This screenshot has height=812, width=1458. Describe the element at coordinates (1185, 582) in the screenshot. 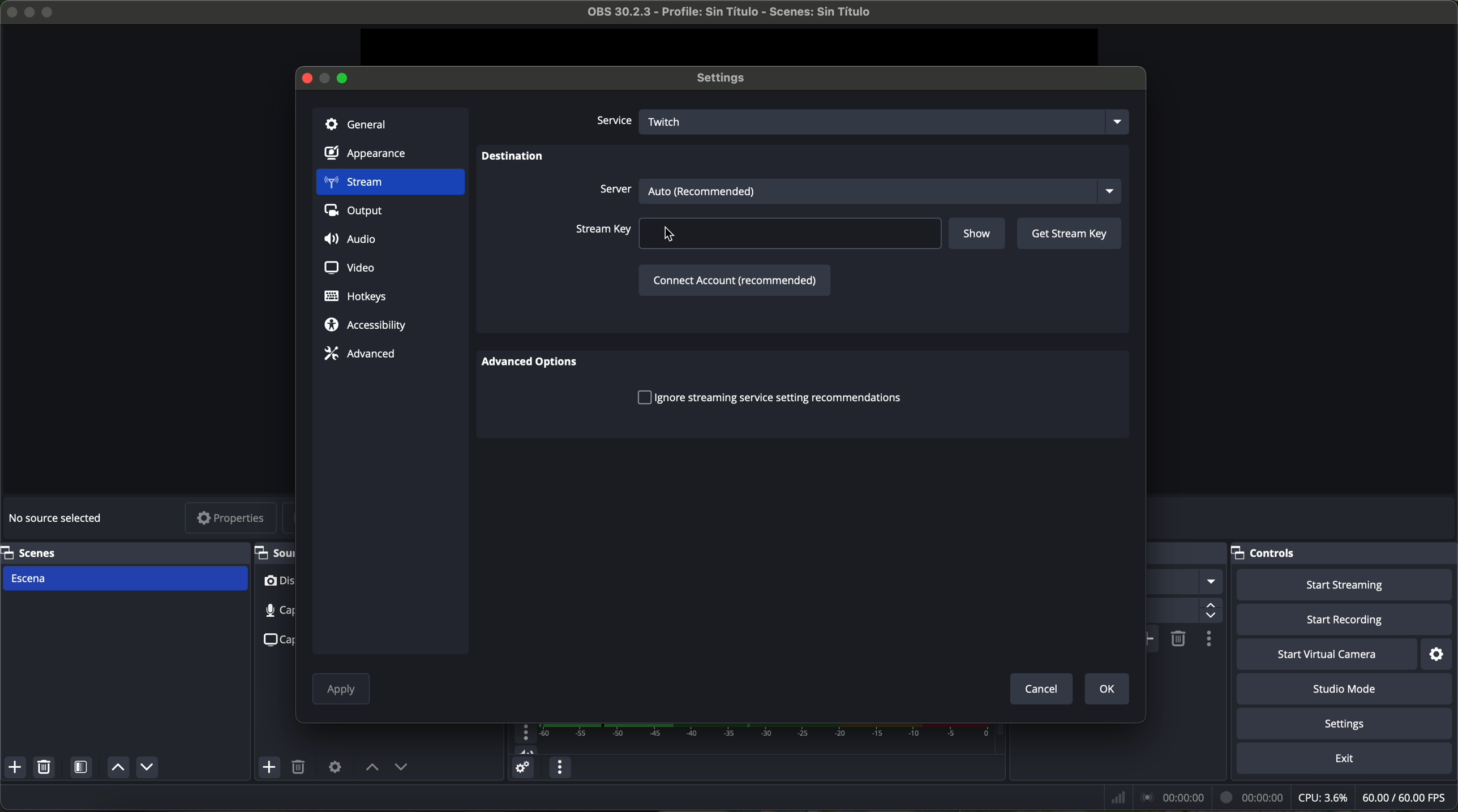

I see `fade` at that location.